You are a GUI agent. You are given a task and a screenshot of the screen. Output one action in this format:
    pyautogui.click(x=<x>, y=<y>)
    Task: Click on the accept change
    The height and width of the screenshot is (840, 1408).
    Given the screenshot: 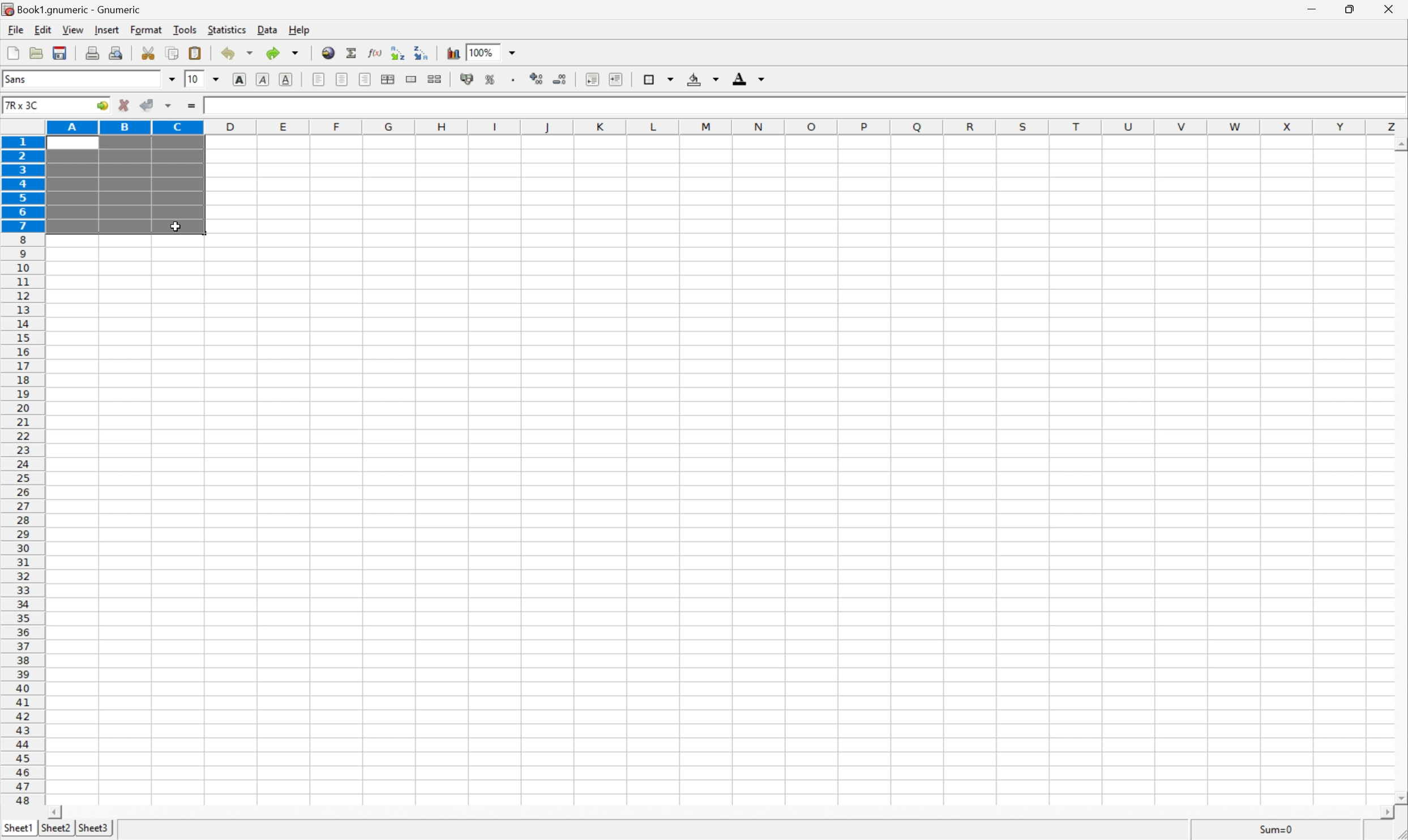 What is the action you would take?
    pyautogui.click(x=147, y=105)
    